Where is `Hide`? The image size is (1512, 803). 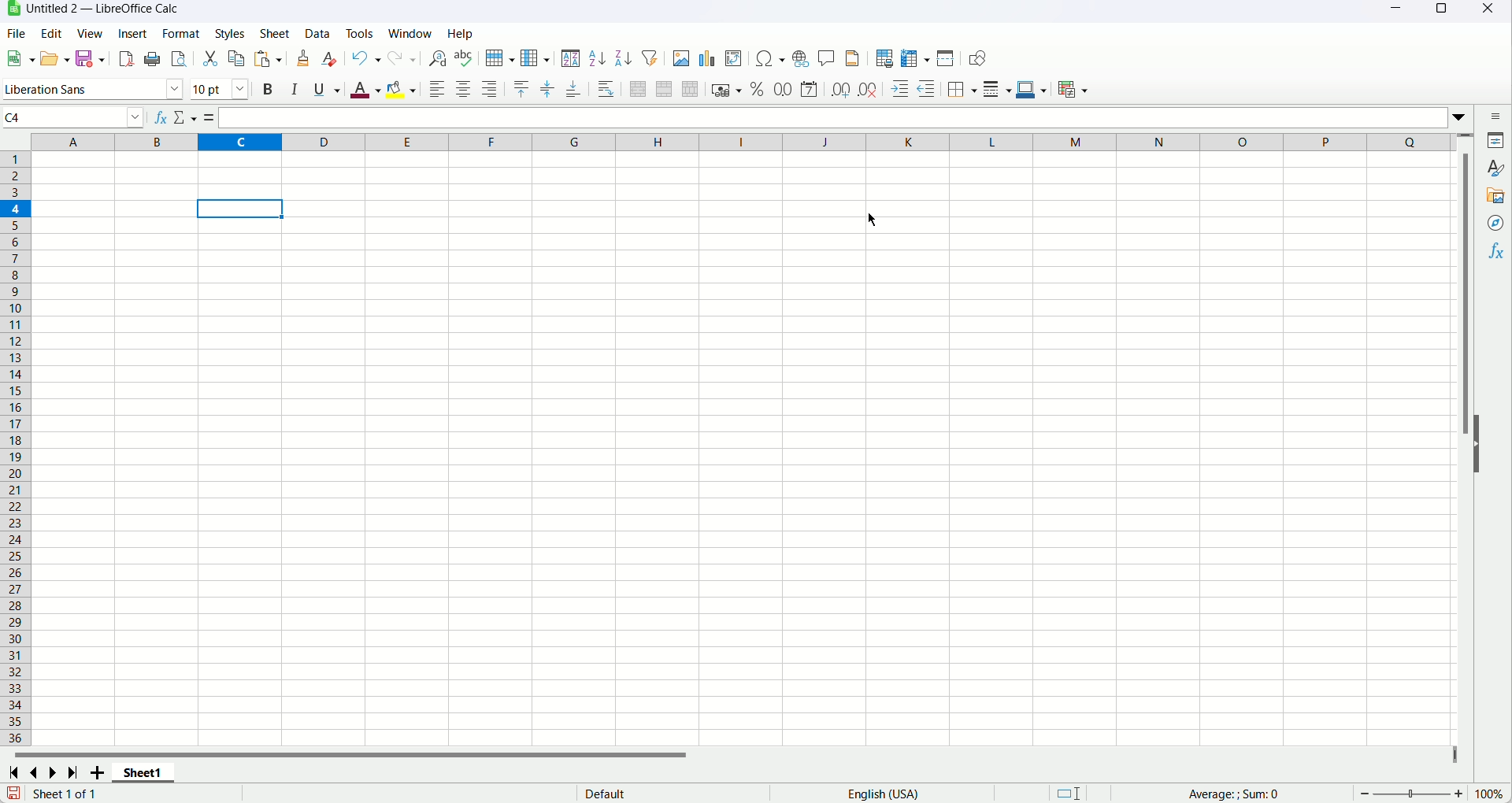
Hide is located at coordinates (1483, 453).